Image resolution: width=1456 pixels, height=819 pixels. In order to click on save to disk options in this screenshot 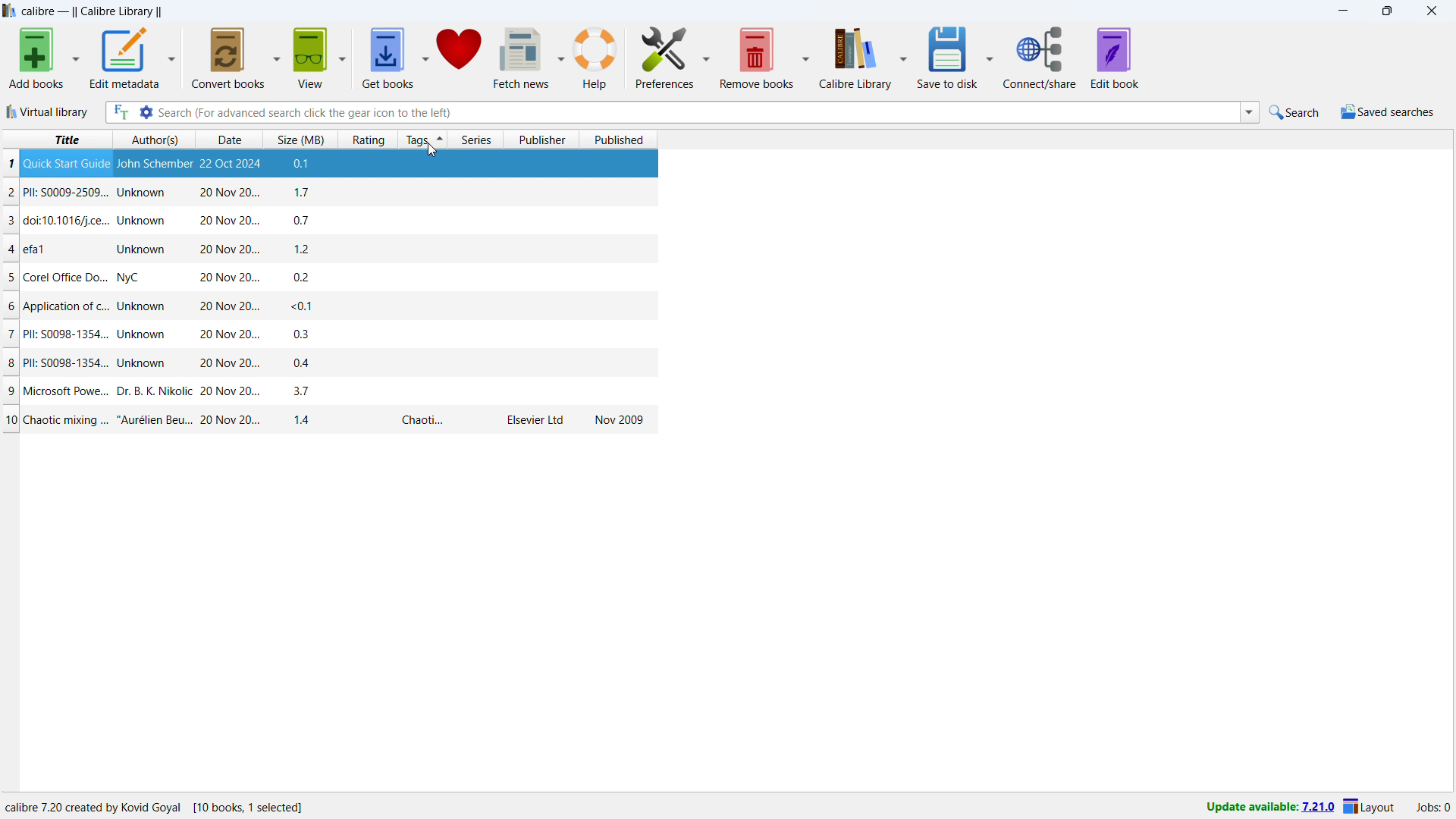, I will do `click(990, 57)`.